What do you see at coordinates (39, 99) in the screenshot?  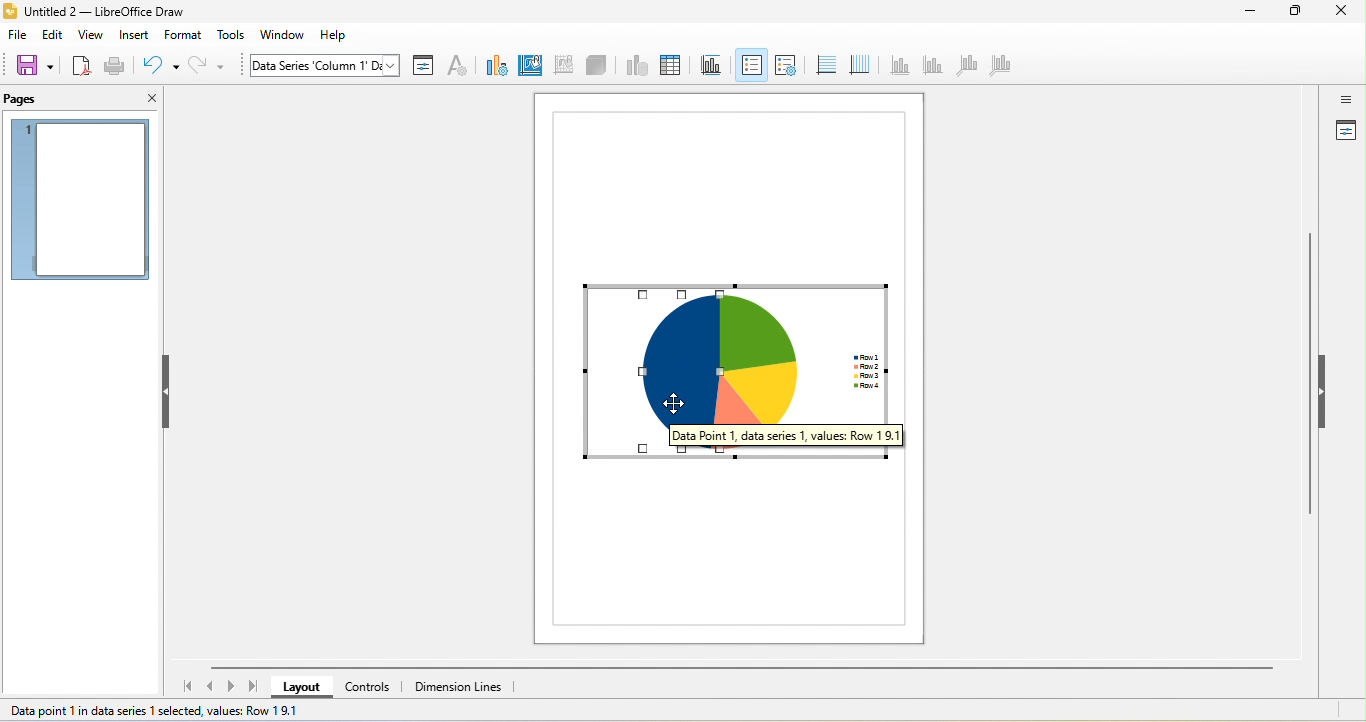 I see `pages` at bounding box center [39, 99].